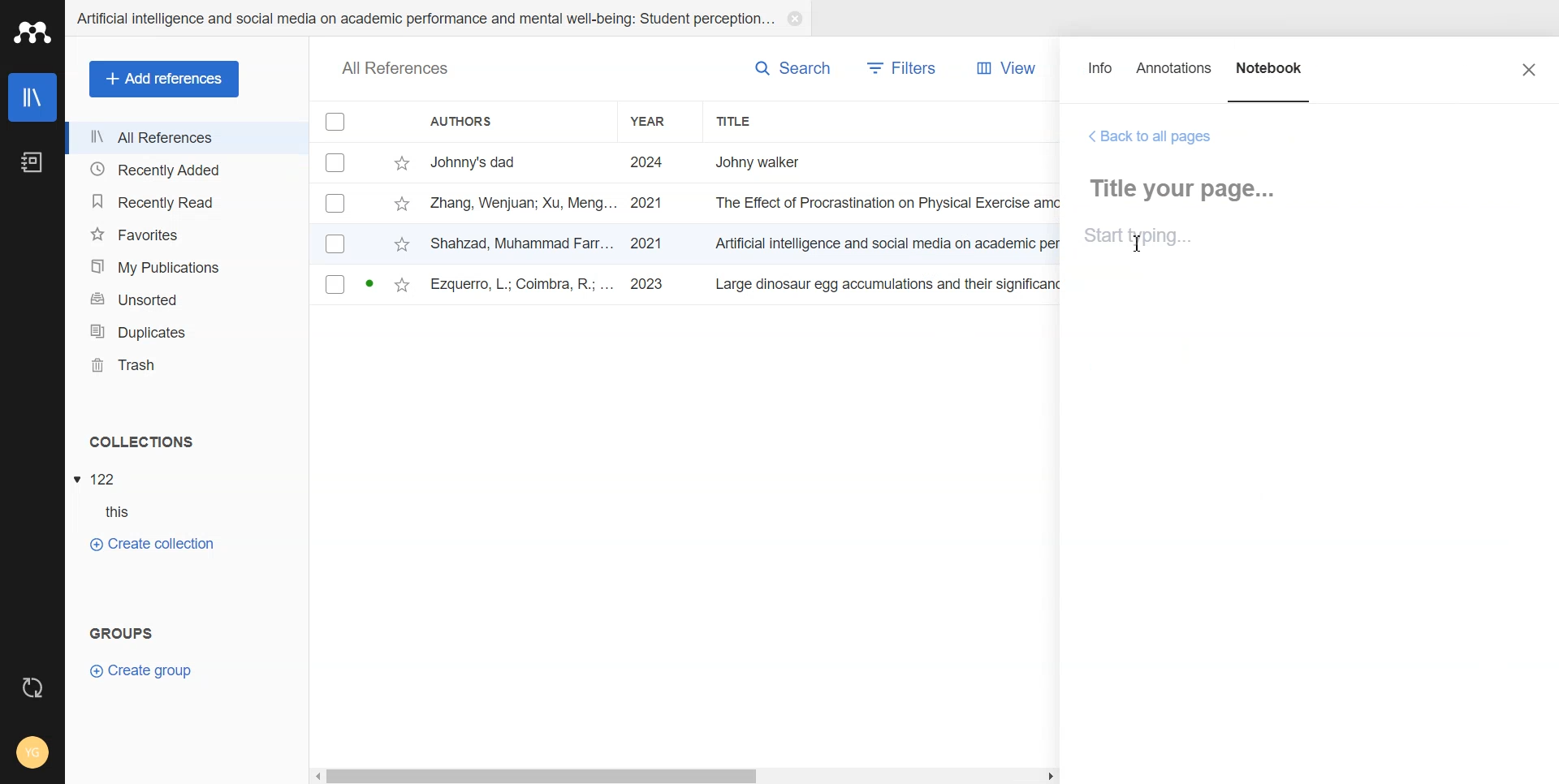 The width and height of the screenshot is (1559, 784). Describe the element at coordinates (892, 287) in the screenshot. I see `large dinosaur egg accumulations and their significance` at that location.